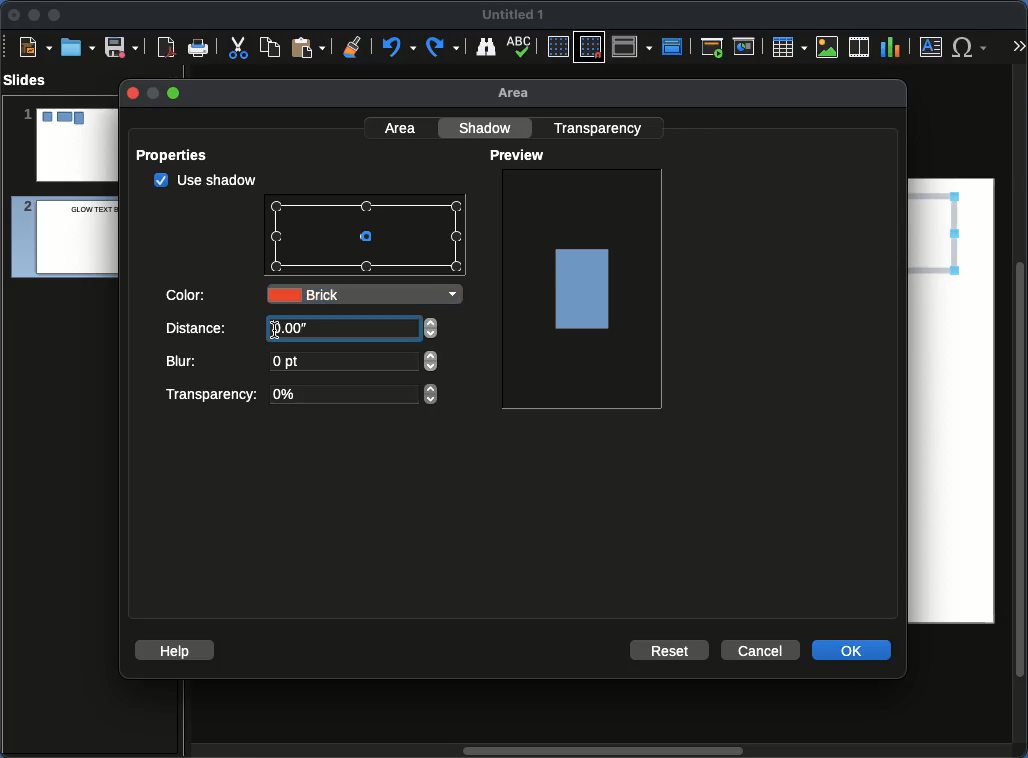  What do you see at coordinates (444, 47) in the screenshot?
I see `Redo` at bounding box center [444, 47].